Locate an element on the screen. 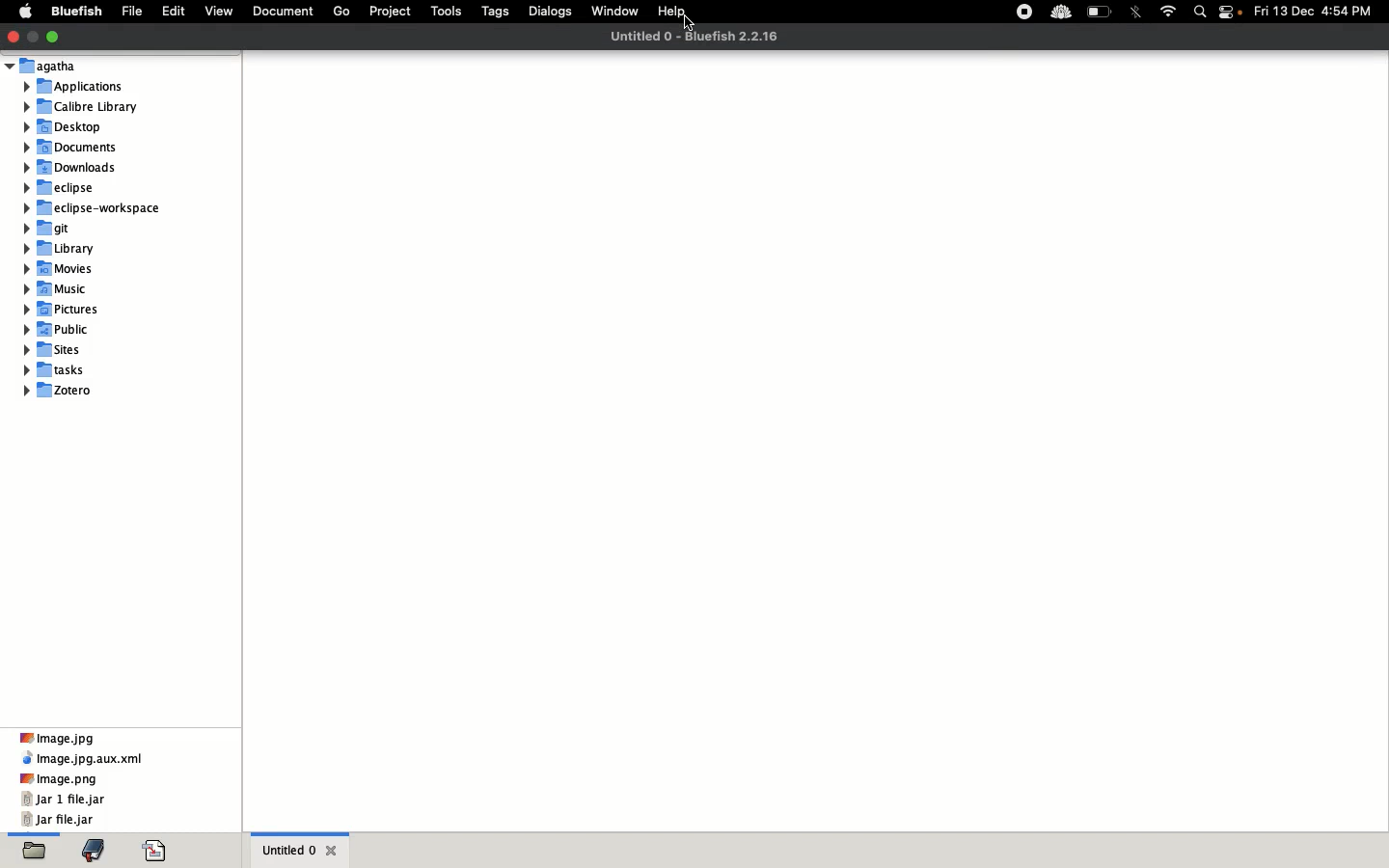  eclipse workspace is located at coordinates (87, 209).